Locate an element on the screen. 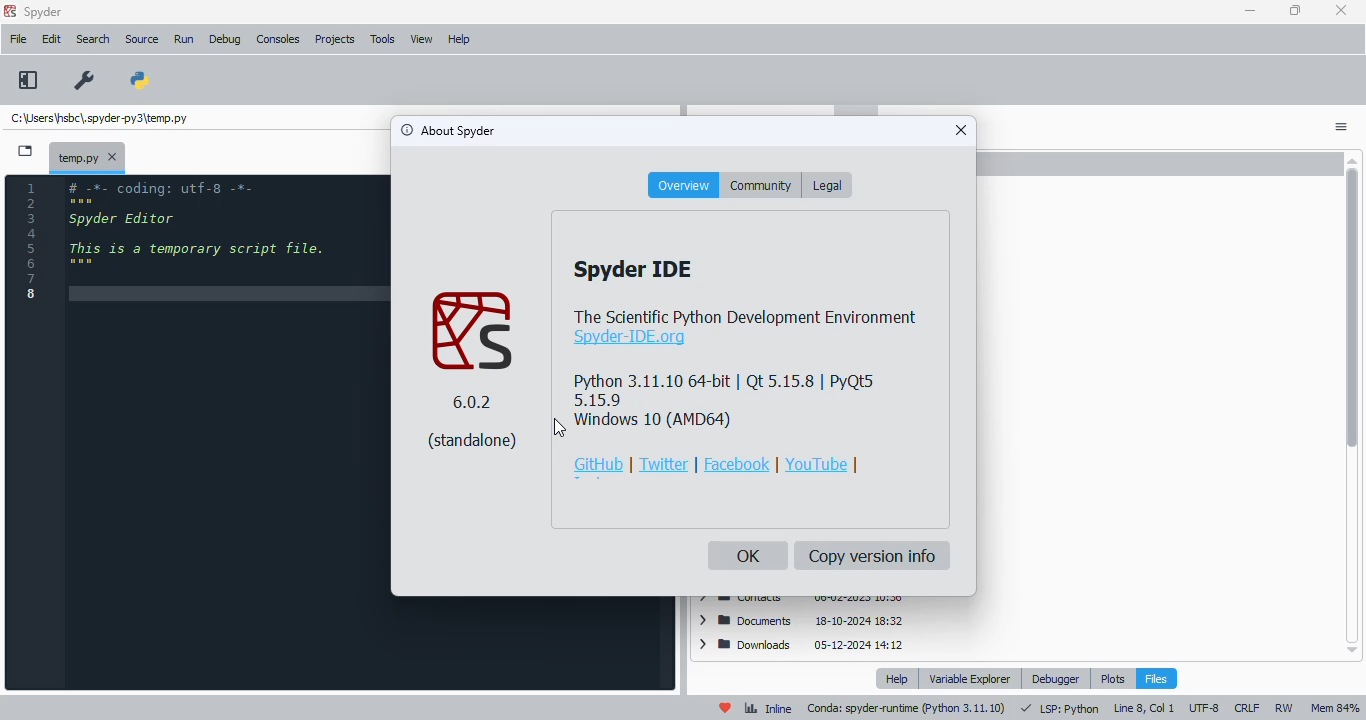 The image size is (1366, 720). line 8, col 1 is located at coordinates (1144, 707).